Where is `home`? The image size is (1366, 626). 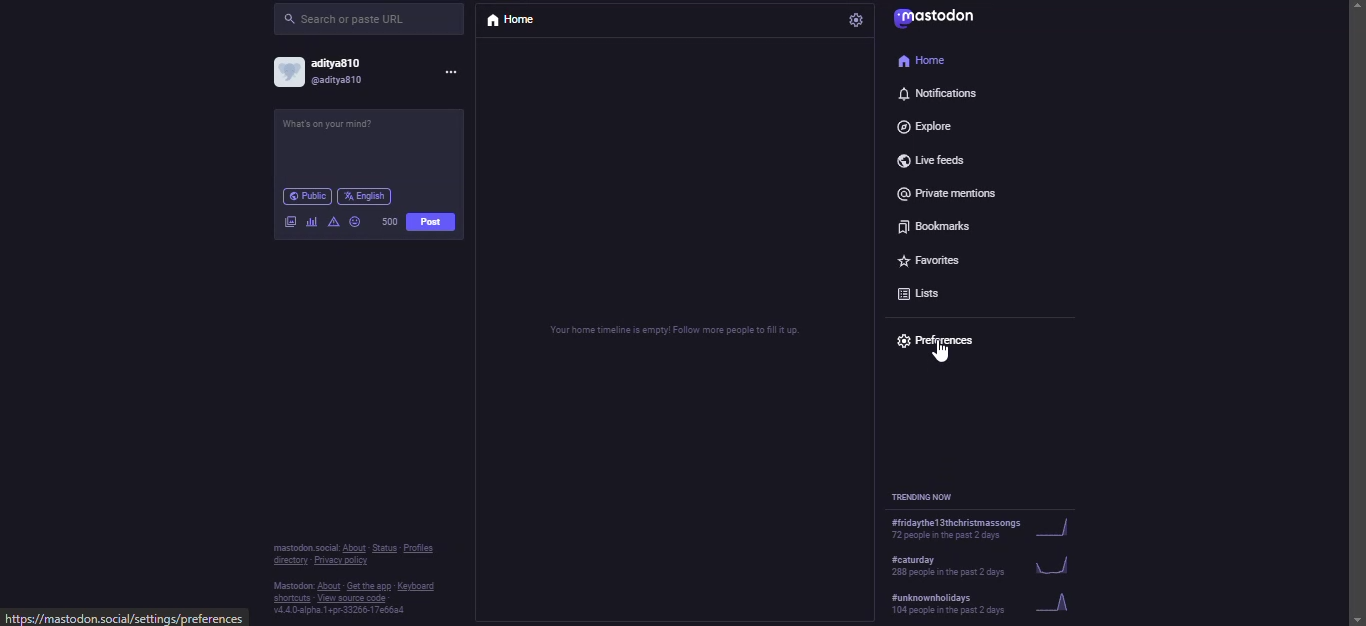 home is located at coordinates (926, 59).